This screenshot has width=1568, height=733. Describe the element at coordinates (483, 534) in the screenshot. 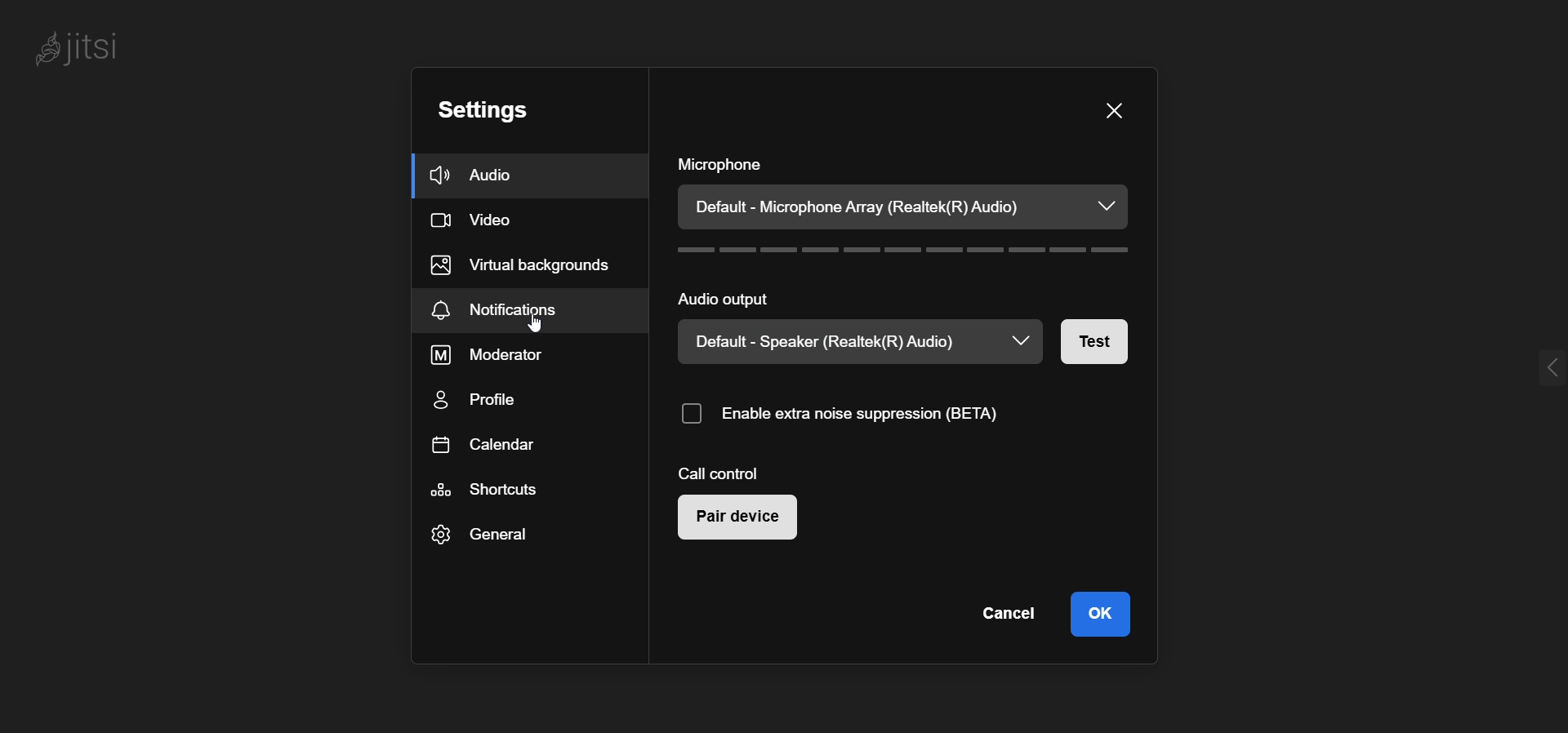

I see `general` at that location.